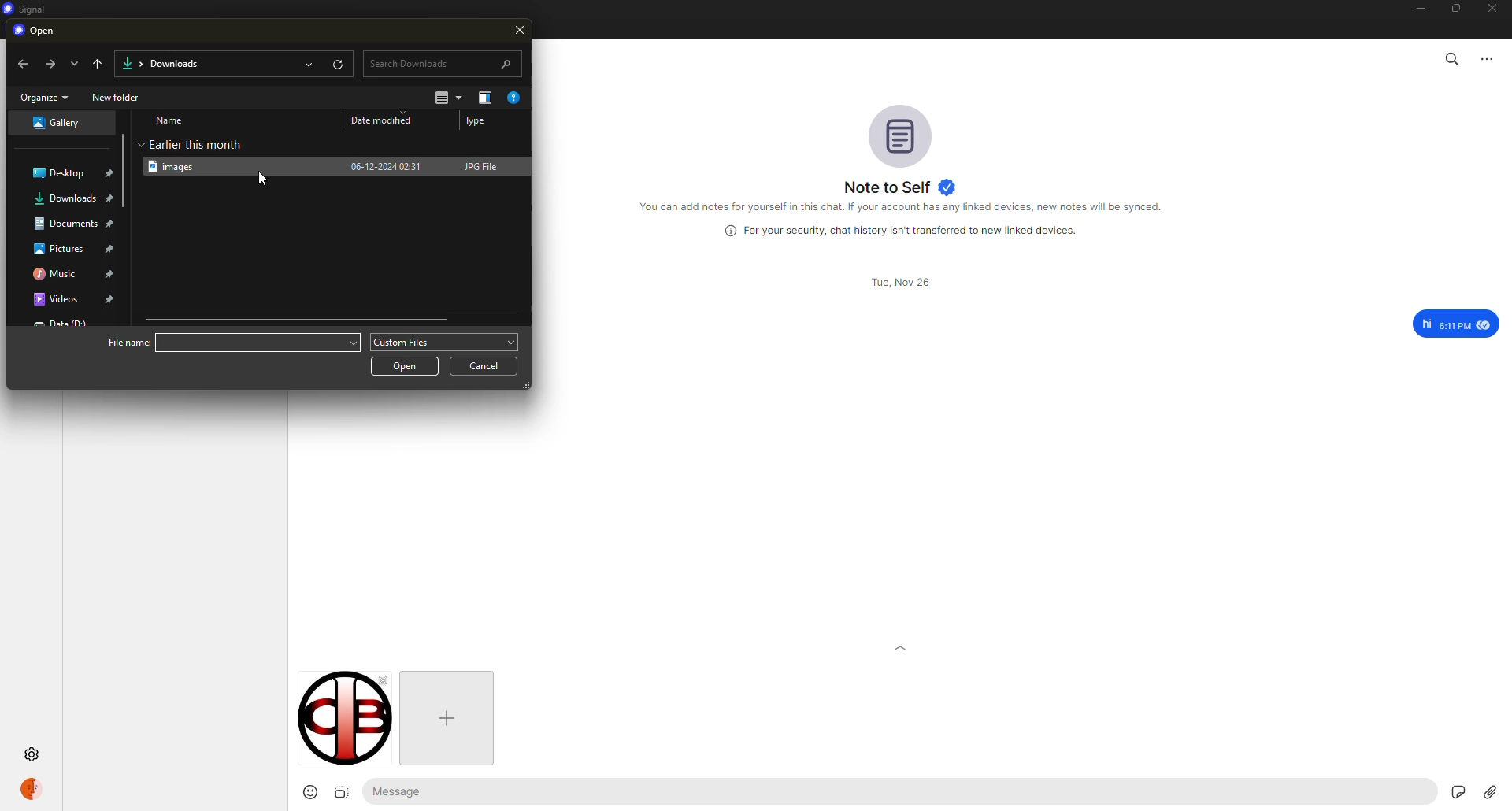 The width and height of the screenshot is (1512, 811). Describe the element at coordinates (128, 342) in the screenshot. I see `file name` at that location.